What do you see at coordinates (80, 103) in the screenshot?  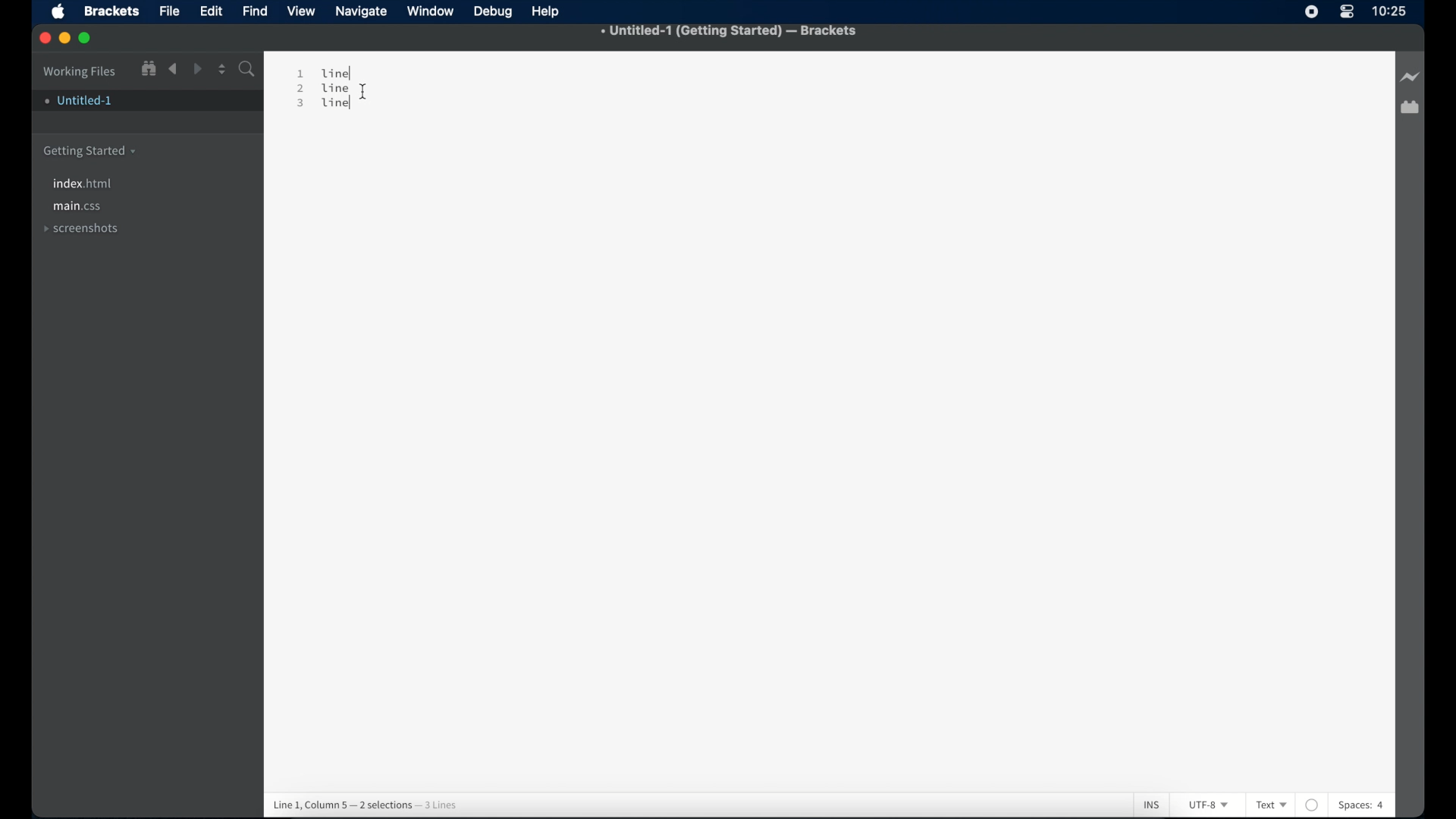 I see `untitled-1` at bounding box center [80, 103].